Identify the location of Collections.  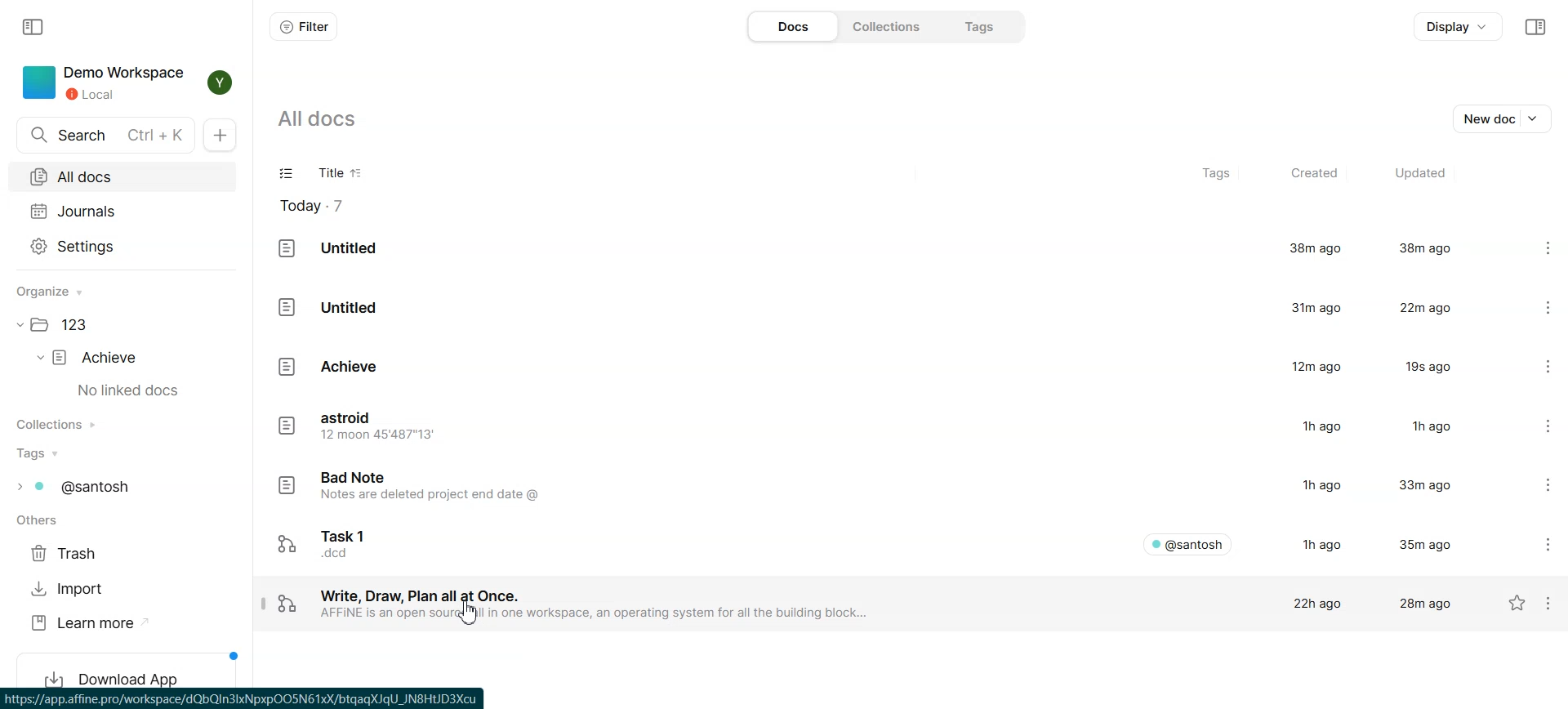
(884, 25).